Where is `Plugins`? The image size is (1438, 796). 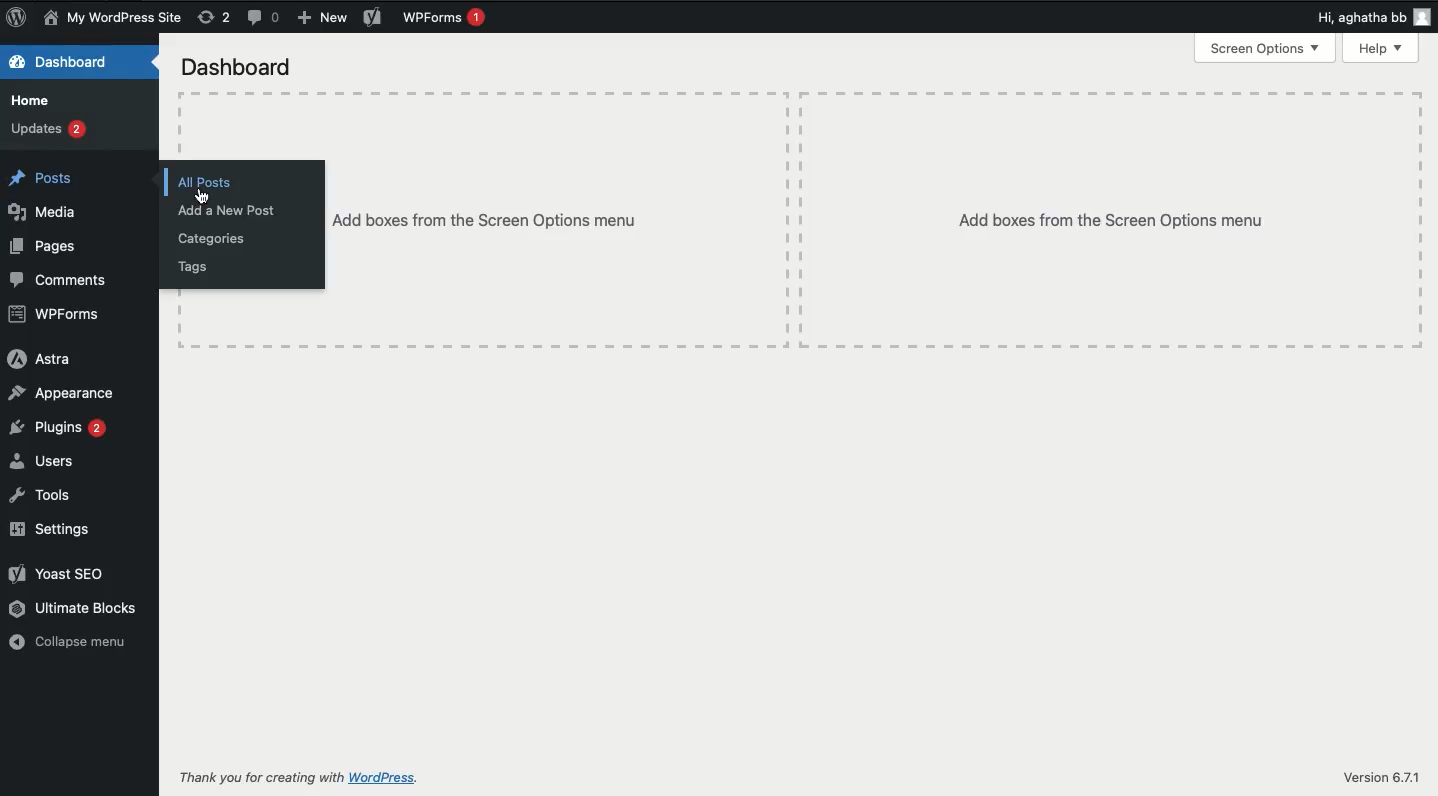
Plugins is located at coordinates (59, 427).